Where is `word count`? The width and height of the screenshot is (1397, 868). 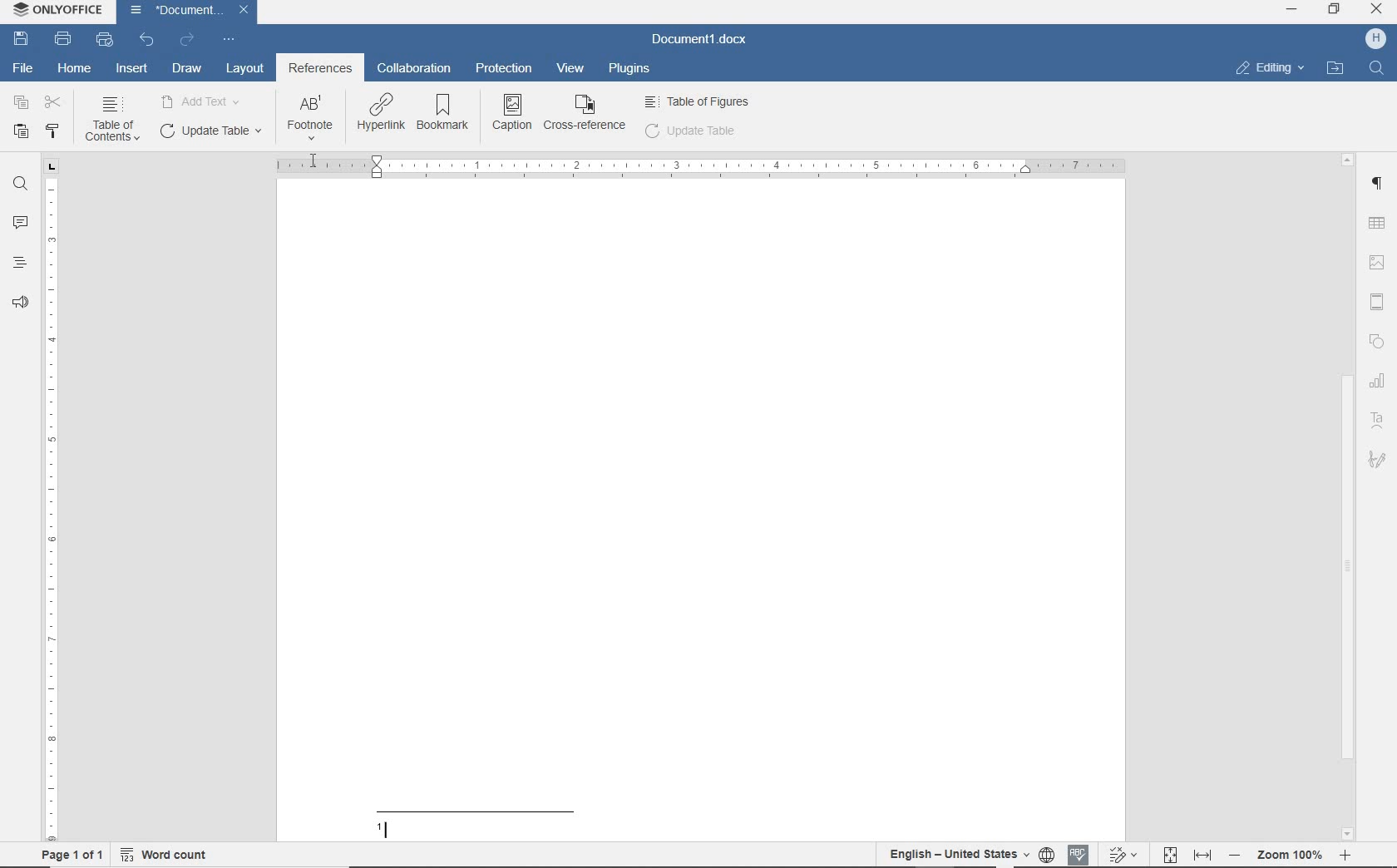
word count is located at coordinates (166, 857).